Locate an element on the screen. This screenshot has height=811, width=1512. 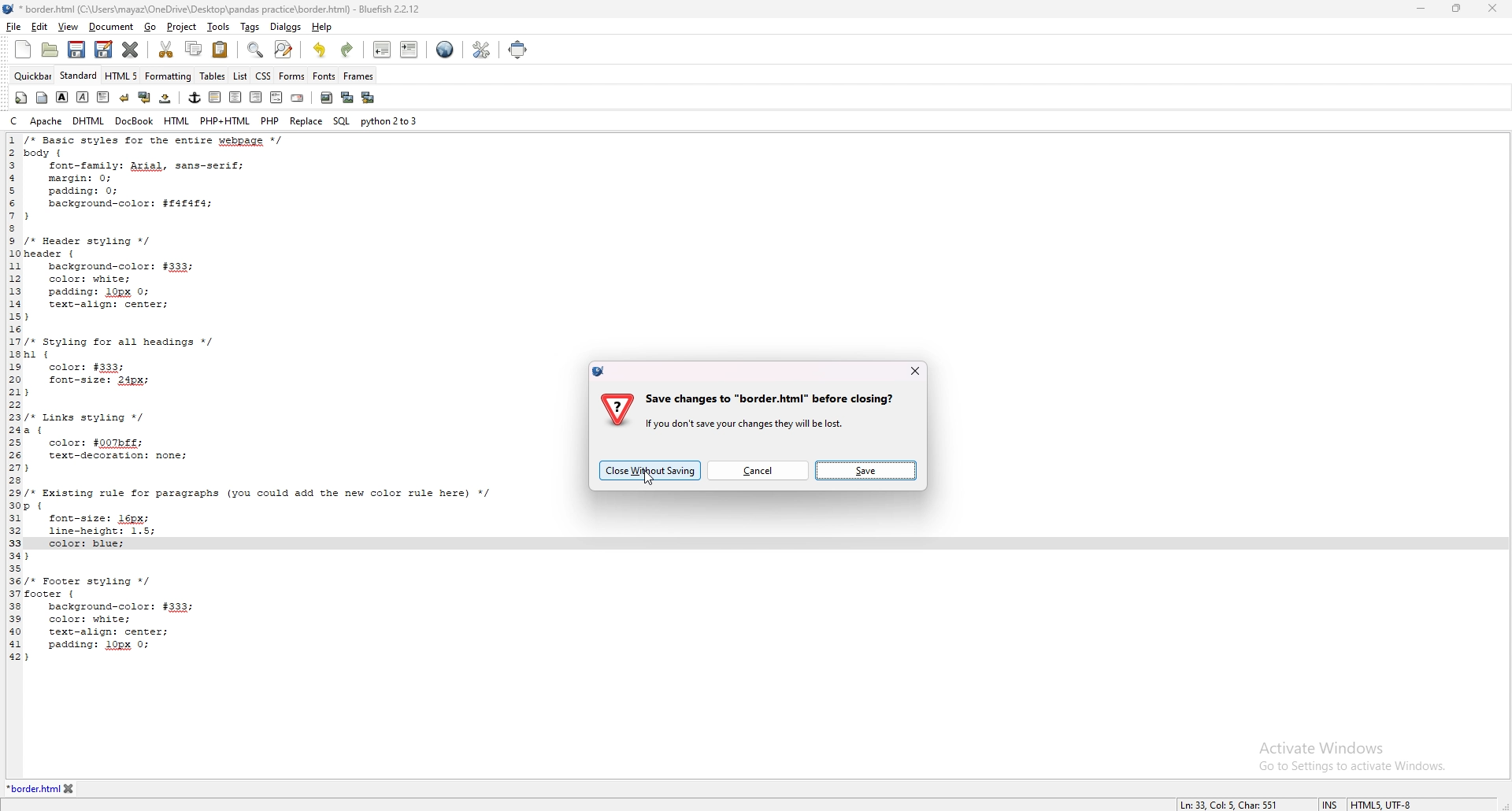
insert image is located at coordinates (327, 98).